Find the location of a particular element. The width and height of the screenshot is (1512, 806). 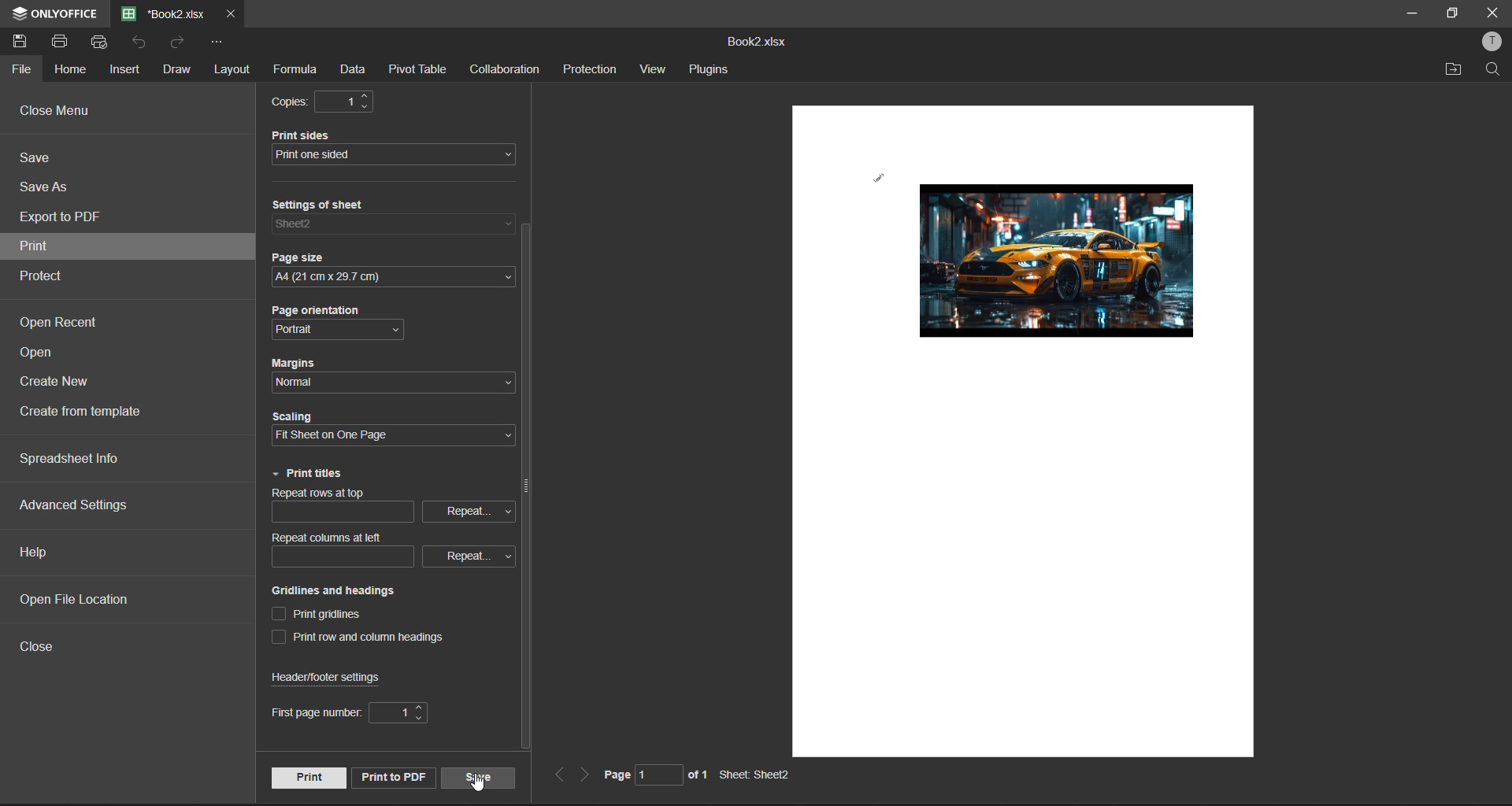

print titles is located at coordinates (309, 475).